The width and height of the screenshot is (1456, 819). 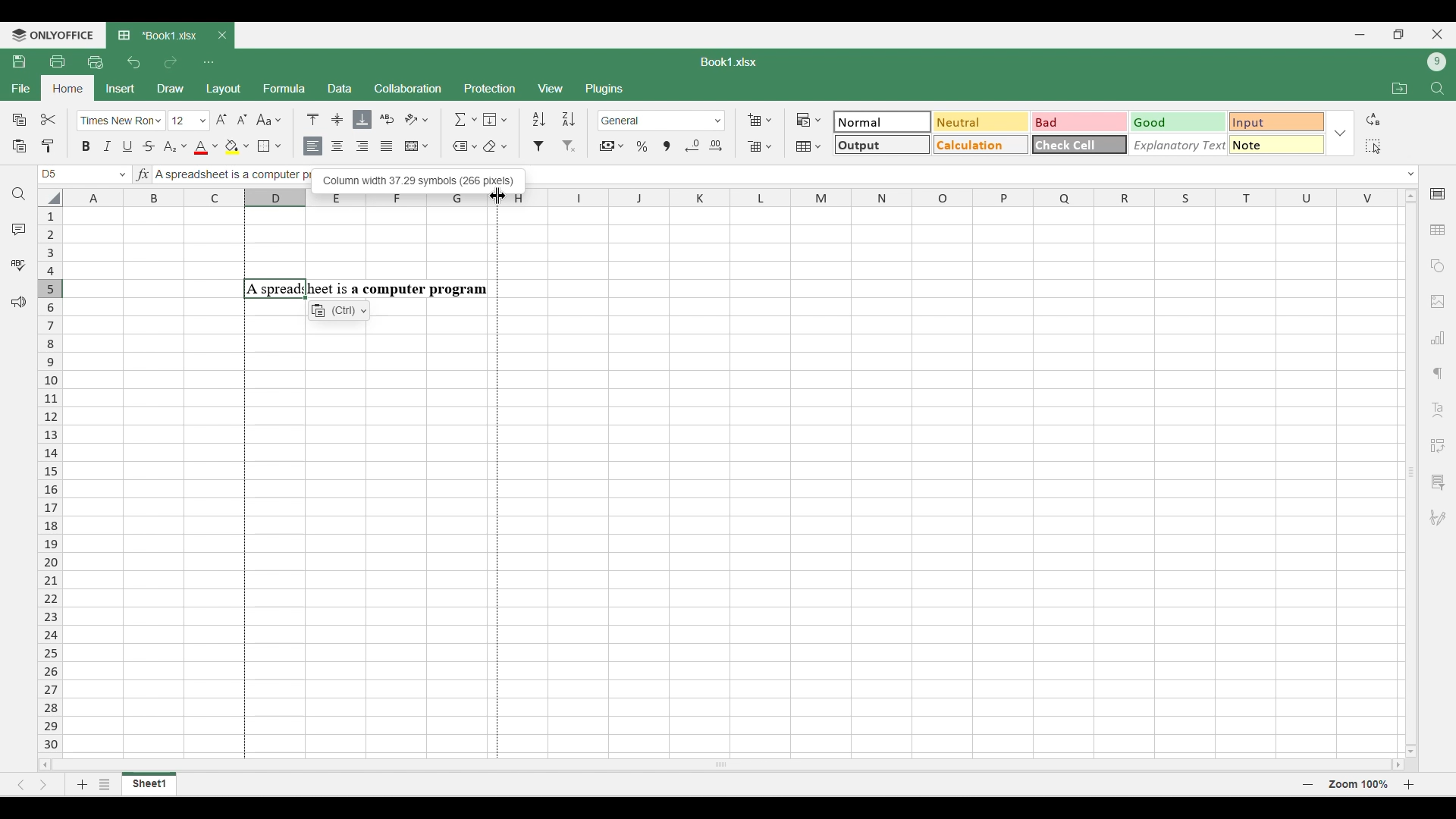 What do you see at coordinates (107, 146) in the screenshot?
I see `Italics` at bounding box center [107, 146].